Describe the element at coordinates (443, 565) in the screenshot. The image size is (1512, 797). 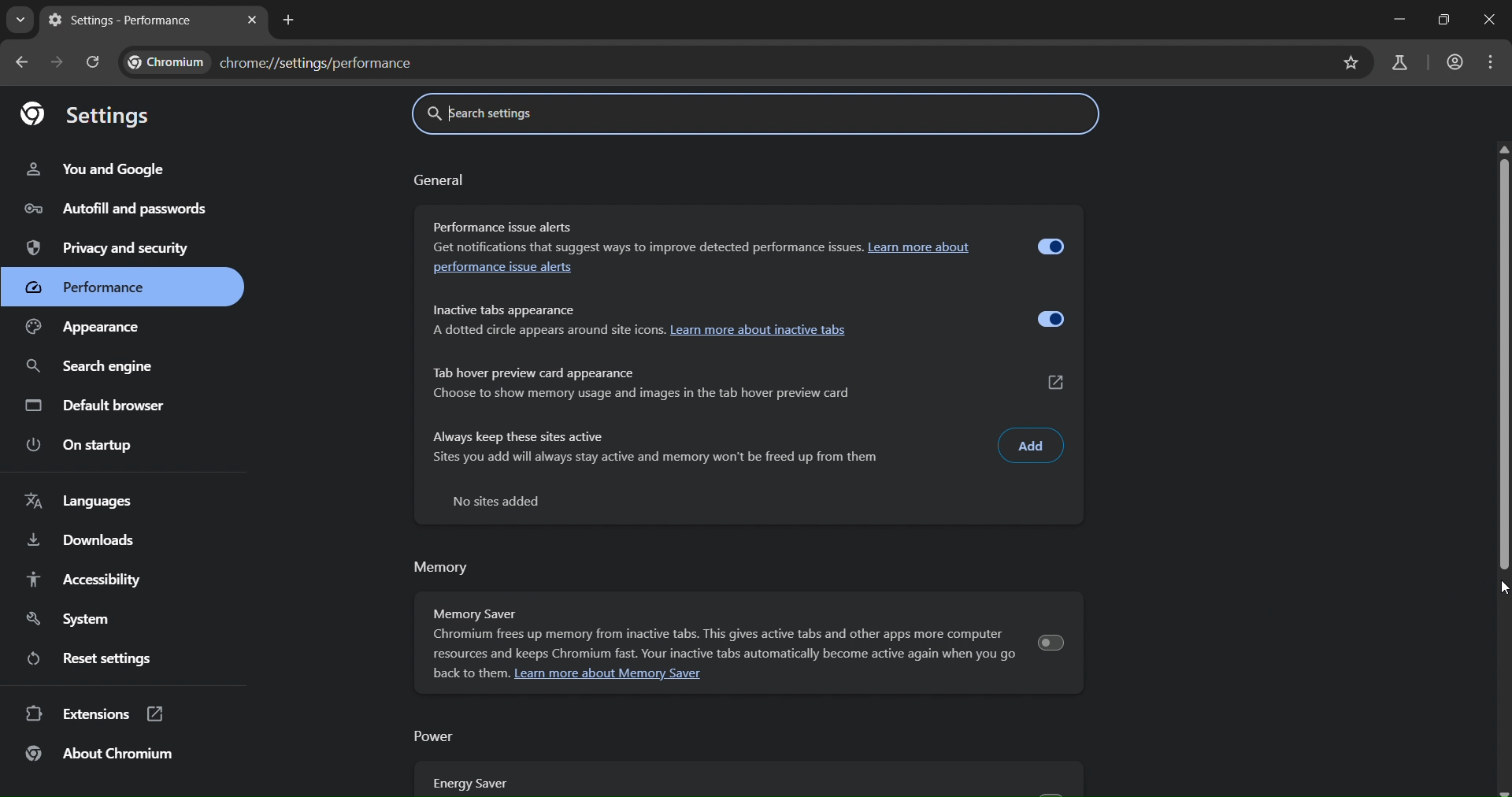
I see `memory` at that location.